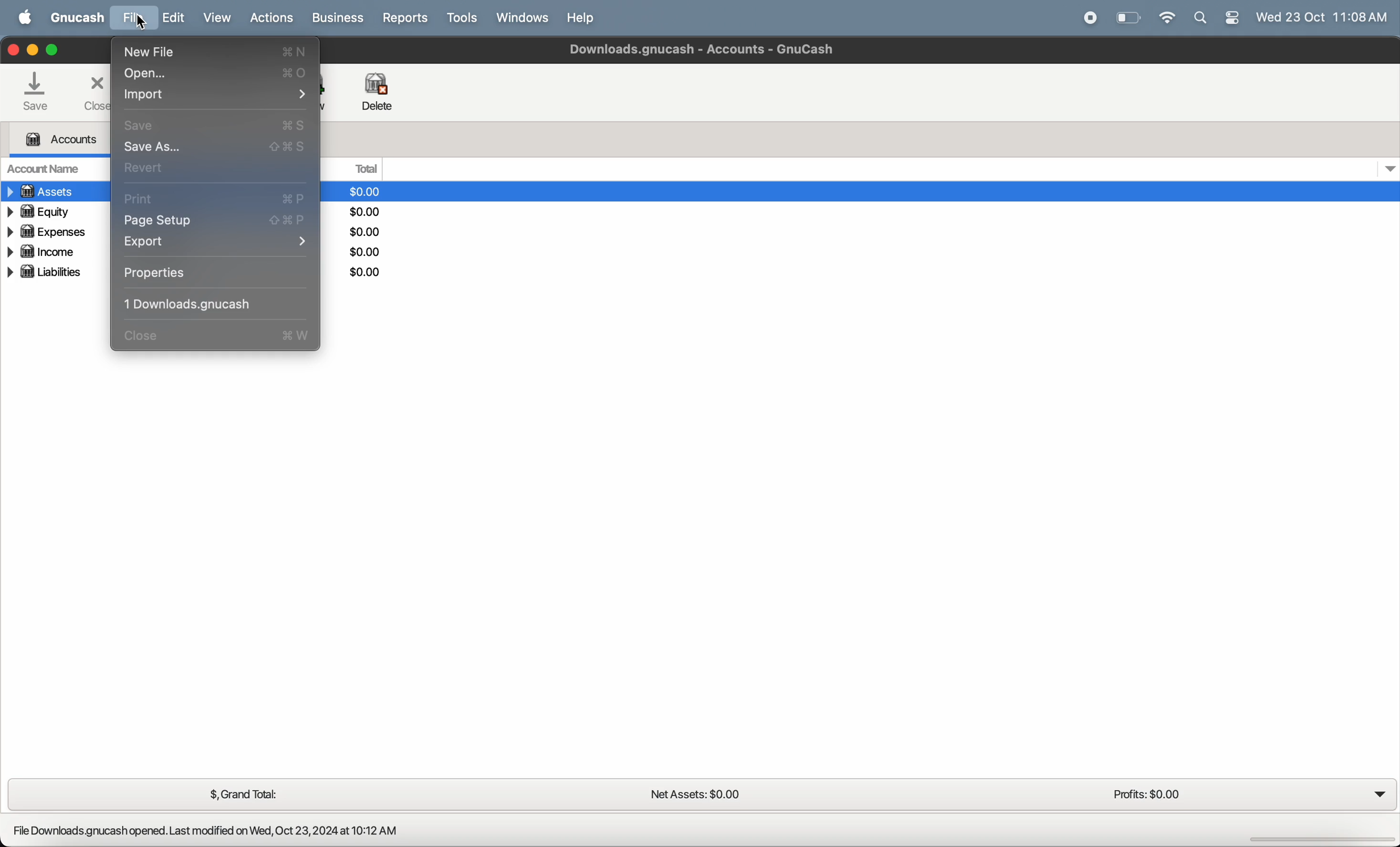 This screenshot has width=1400, height=847. I want to click on edit, so click(171, 18).